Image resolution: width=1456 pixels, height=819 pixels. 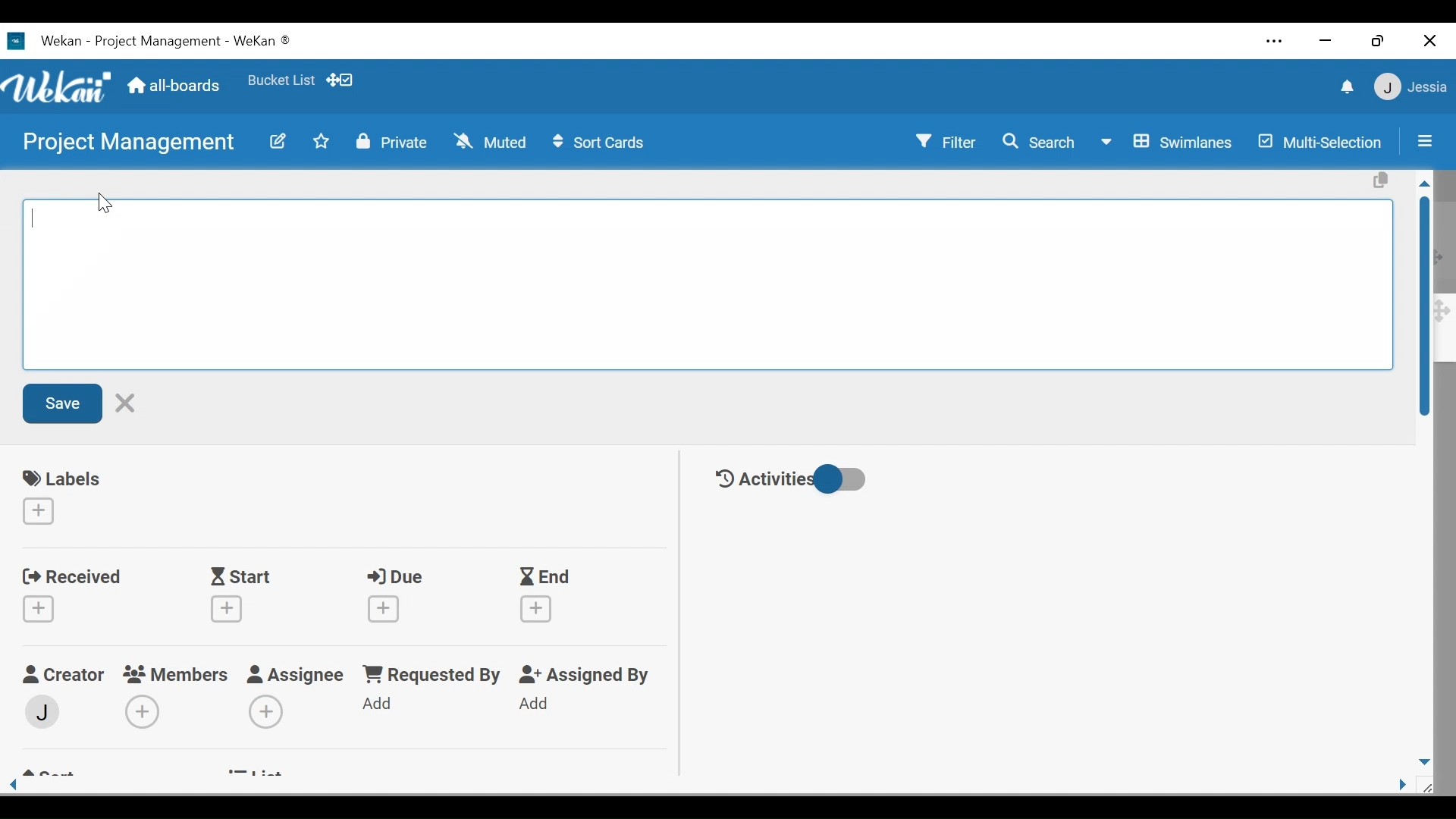 What do you see at coordinates (280, 80) in the screenshot?
I see `Toggle favorites` at bounding box center [280, 80].